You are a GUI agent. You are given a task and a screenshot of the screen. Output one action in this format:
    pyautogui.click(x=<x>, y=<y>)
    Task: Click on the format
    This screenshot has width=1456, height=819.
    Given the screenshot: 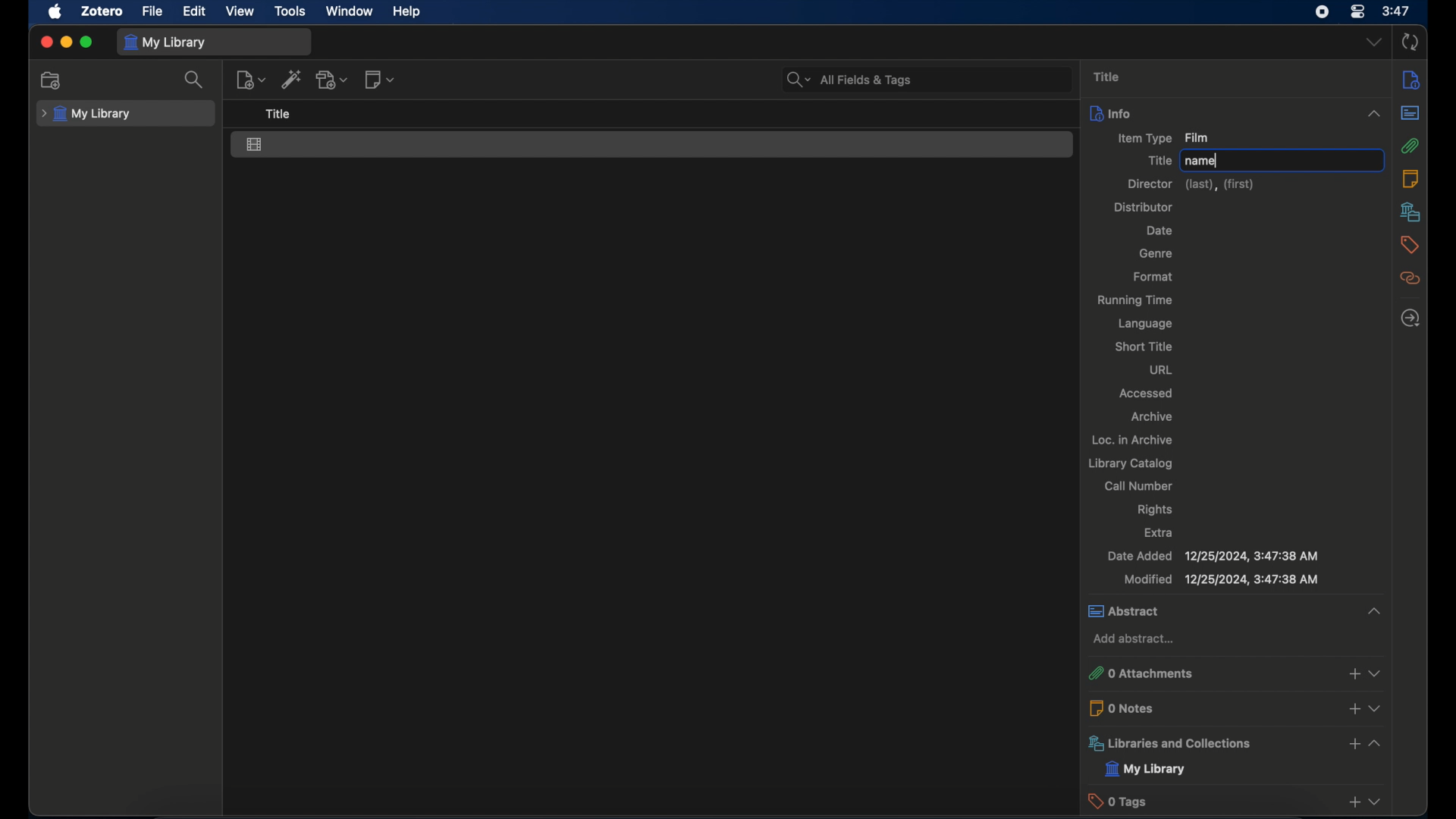 What is the action you would take?
    pyautogui.click(x=1152, y=276)
    